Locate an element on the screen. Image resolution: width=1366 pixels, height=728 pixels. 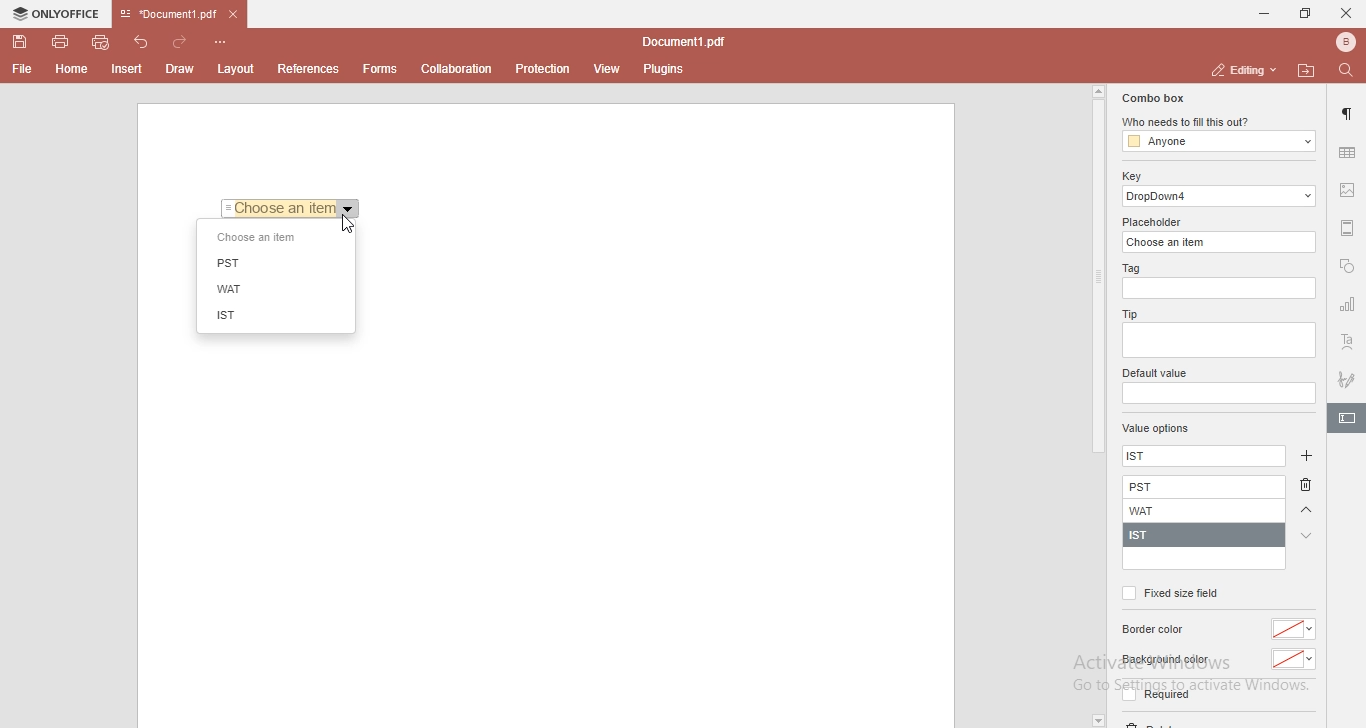
References is located at coordinates (306, 69).